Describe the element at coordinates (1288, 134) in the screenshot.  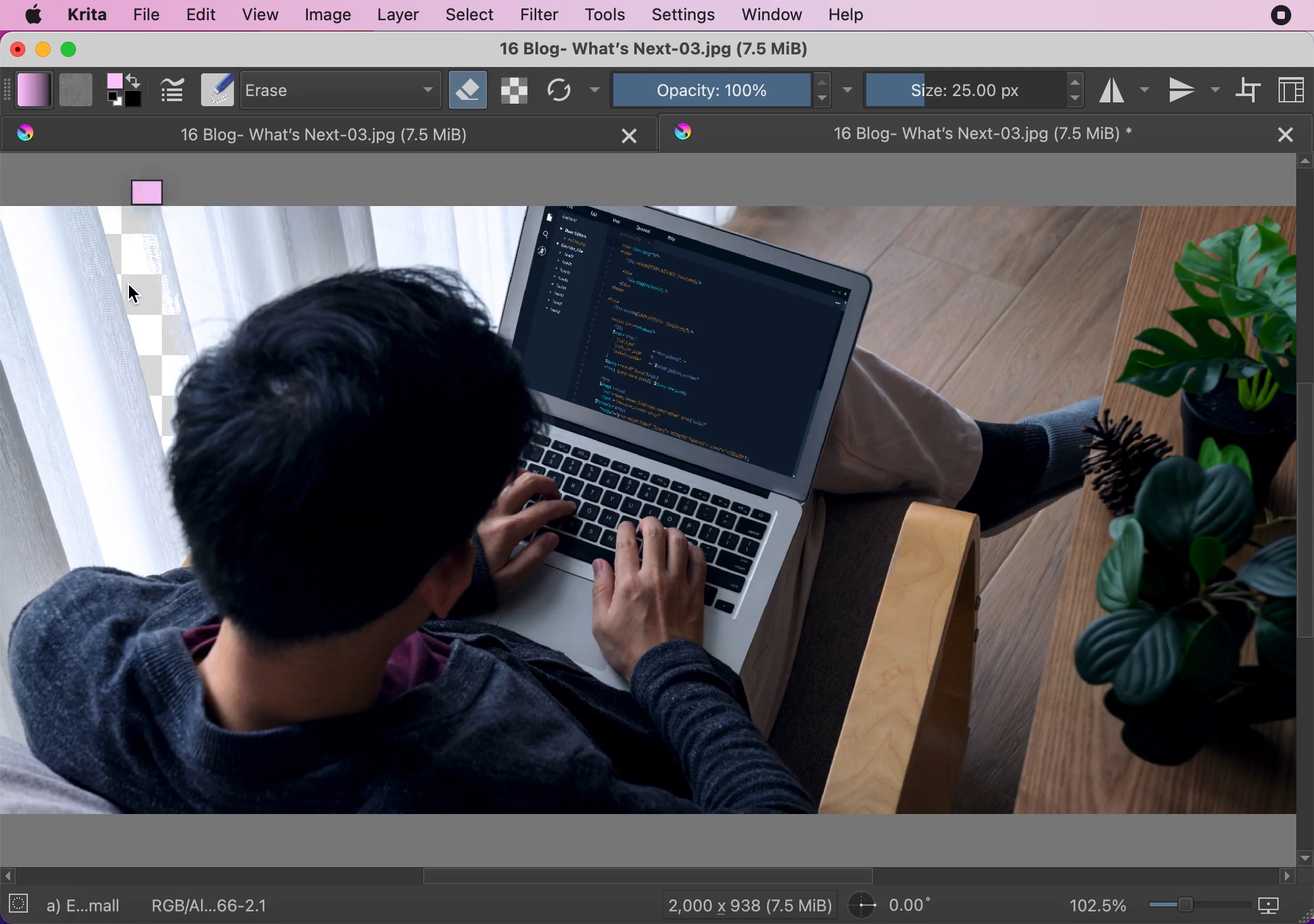
I see `close` at that location.